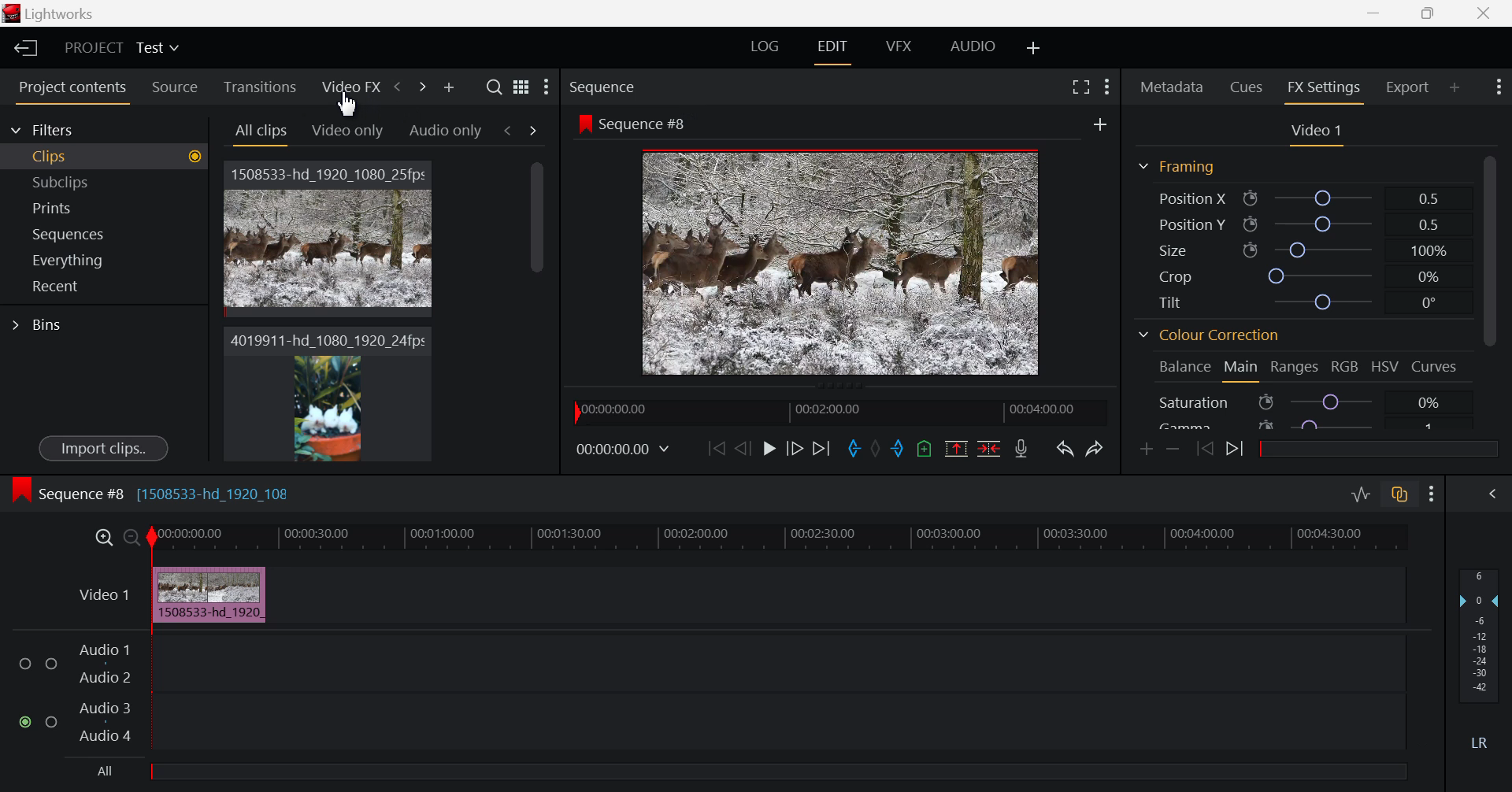  What do you see at coordinates (630, 123) in the screenshot?
I see `Sequence #8` at bounding box center [630, 123].